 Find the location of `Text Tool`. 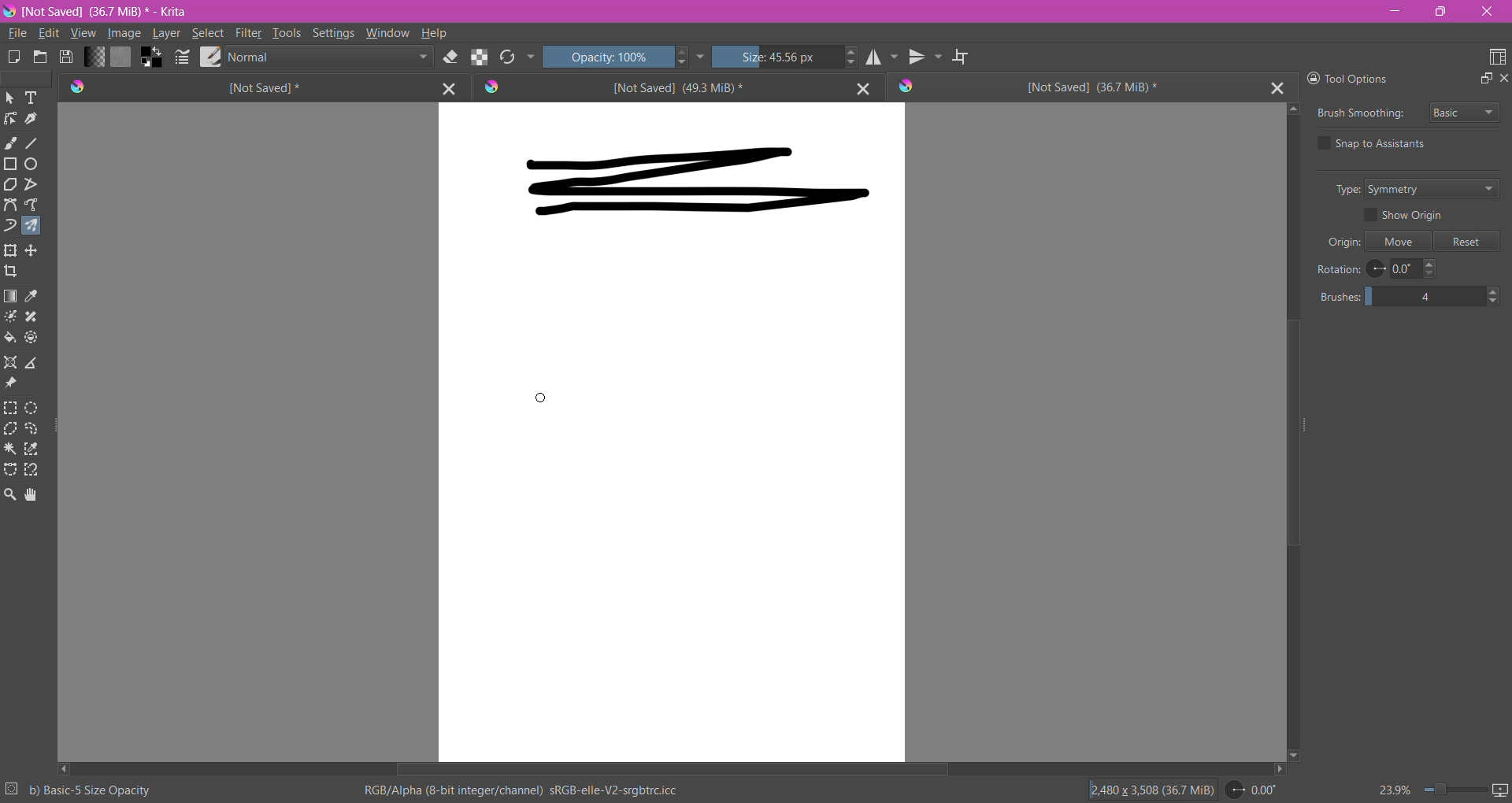

Text Tool is located at coordinates (31, 98).